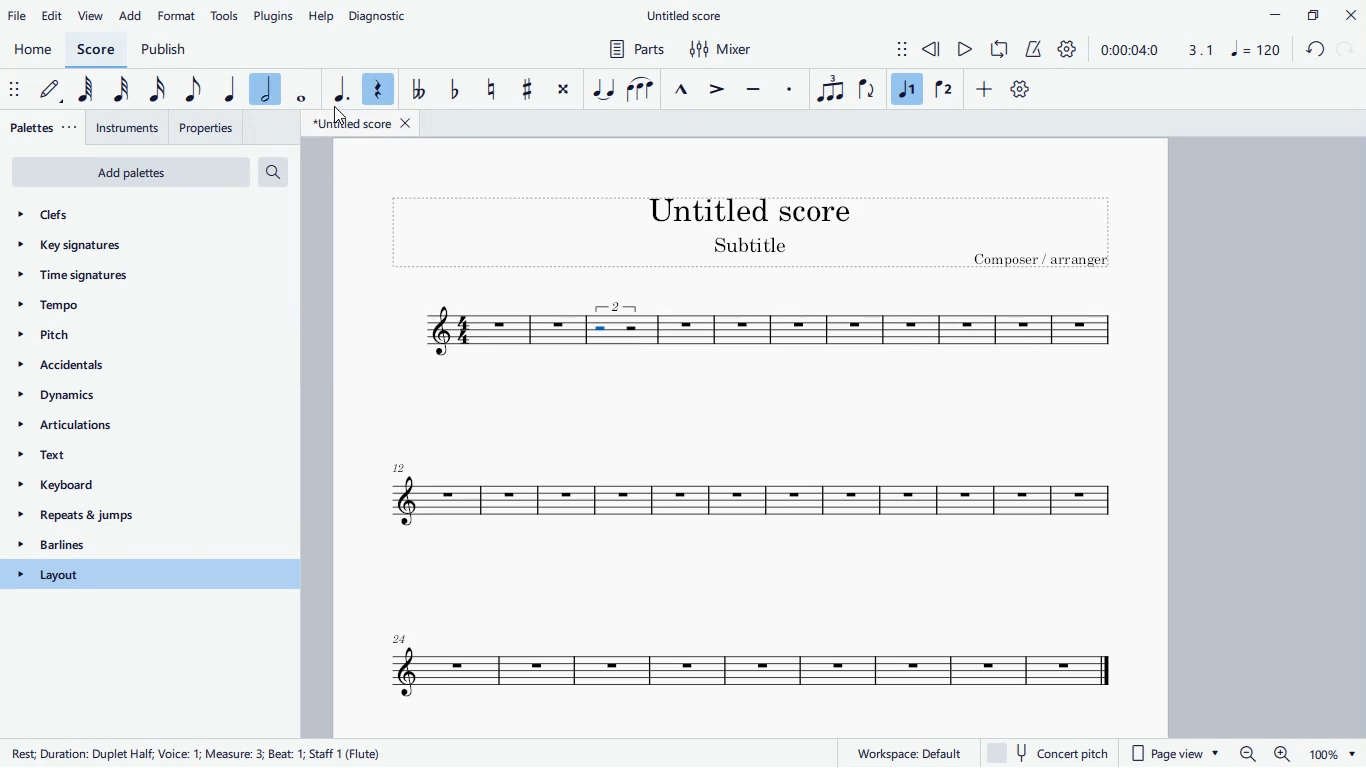  I want to click on dynamics, so click(120, 400).